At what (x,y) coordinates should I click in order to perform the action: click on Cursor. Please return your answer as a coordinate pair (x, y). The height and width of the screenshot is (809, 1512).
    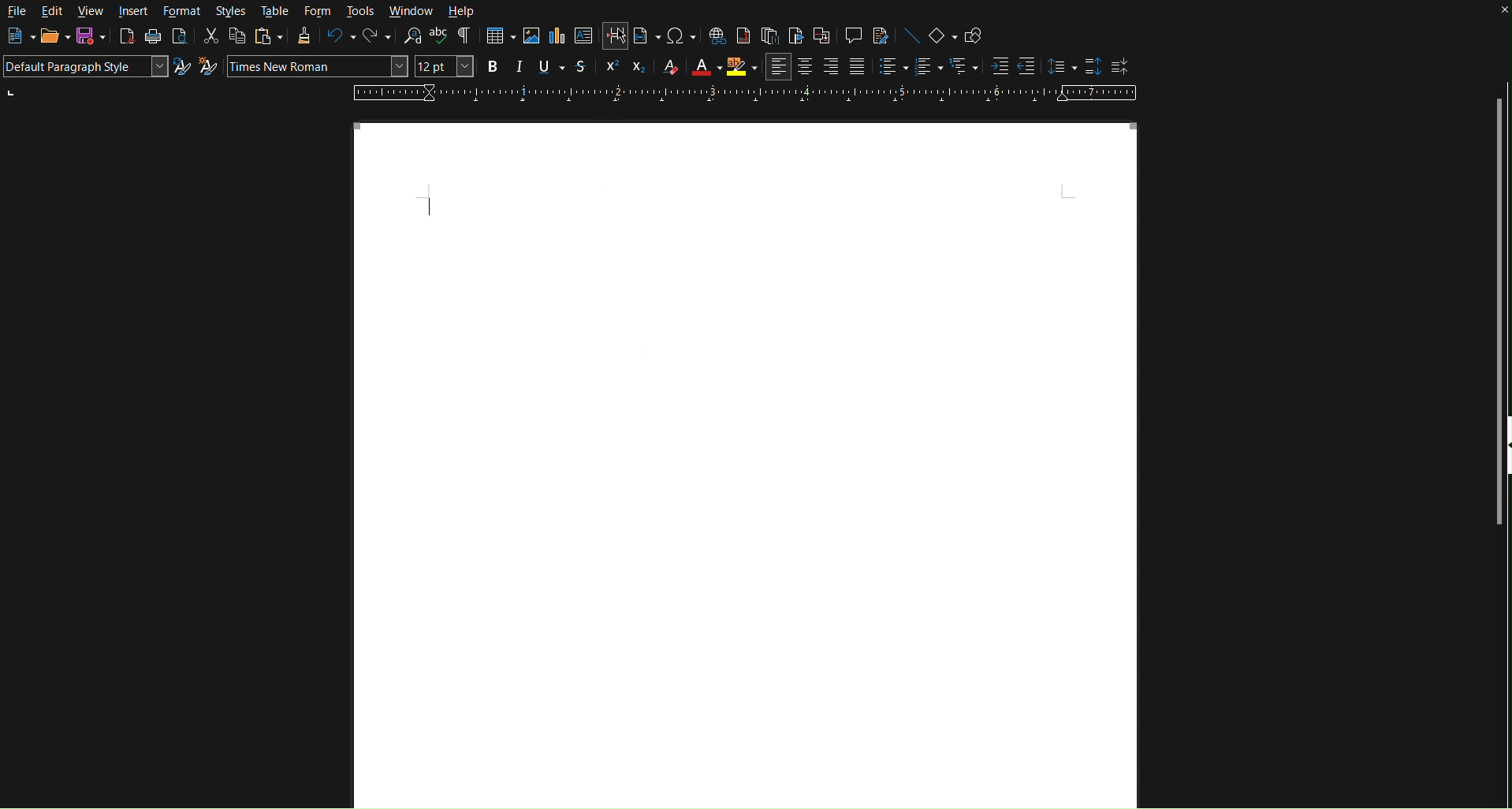
    Looking at the image, I should click on (616, 32).